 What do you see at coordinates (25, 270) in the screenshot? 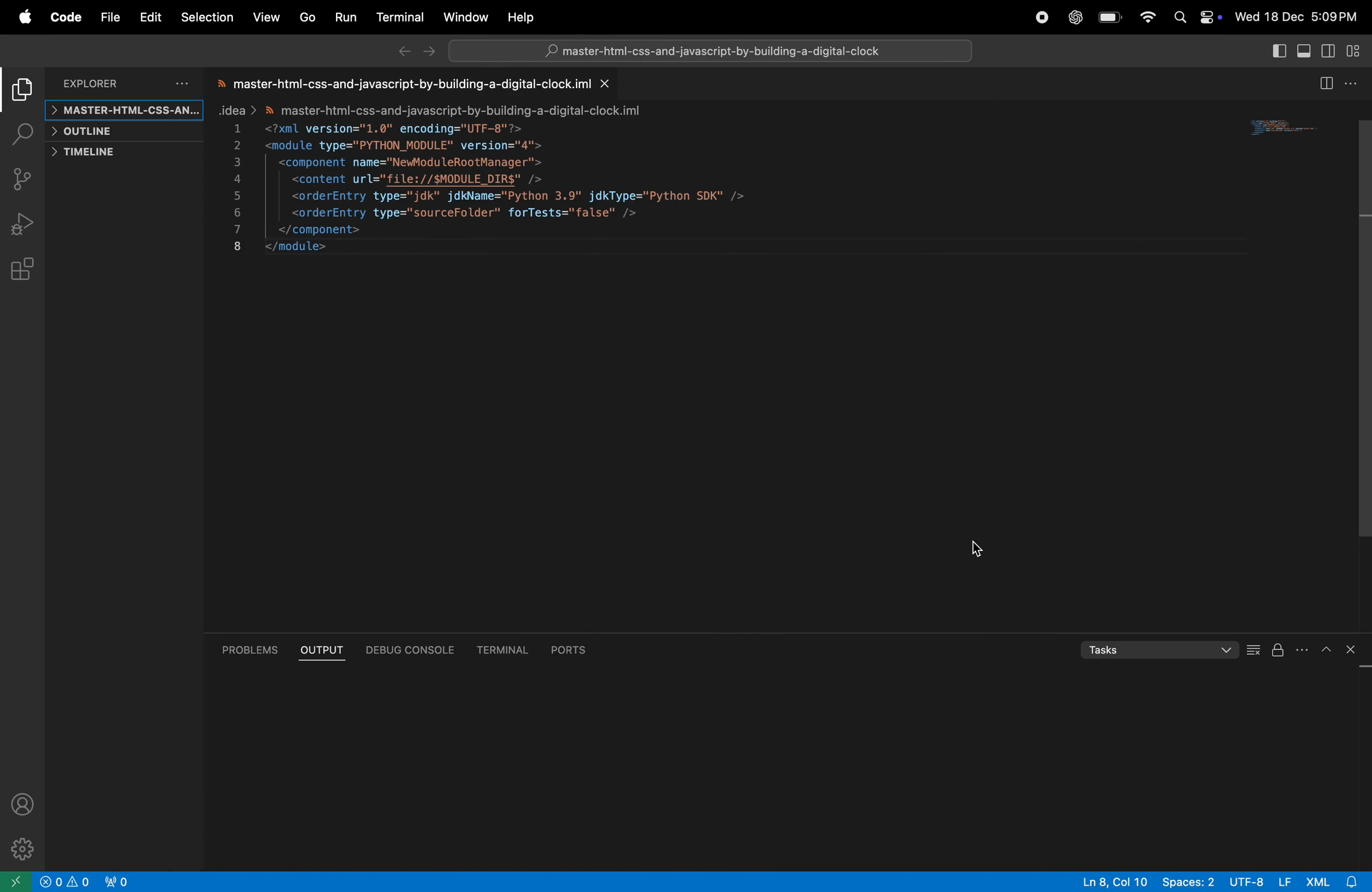
I see `extensions` at bounding box center [25, 270].